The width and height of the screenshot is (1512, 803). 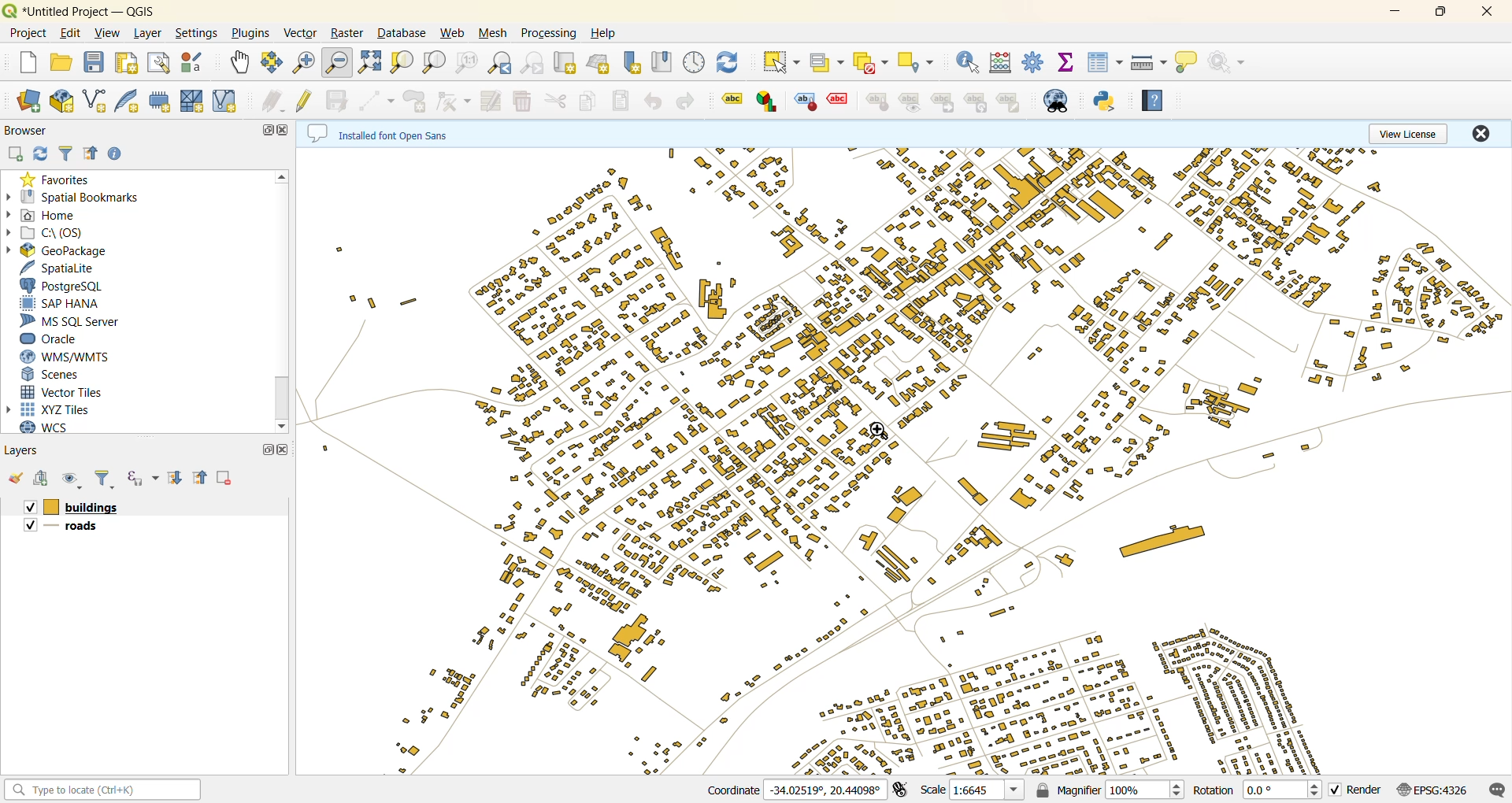 I want to click on add group, so click(x=43, y=478).